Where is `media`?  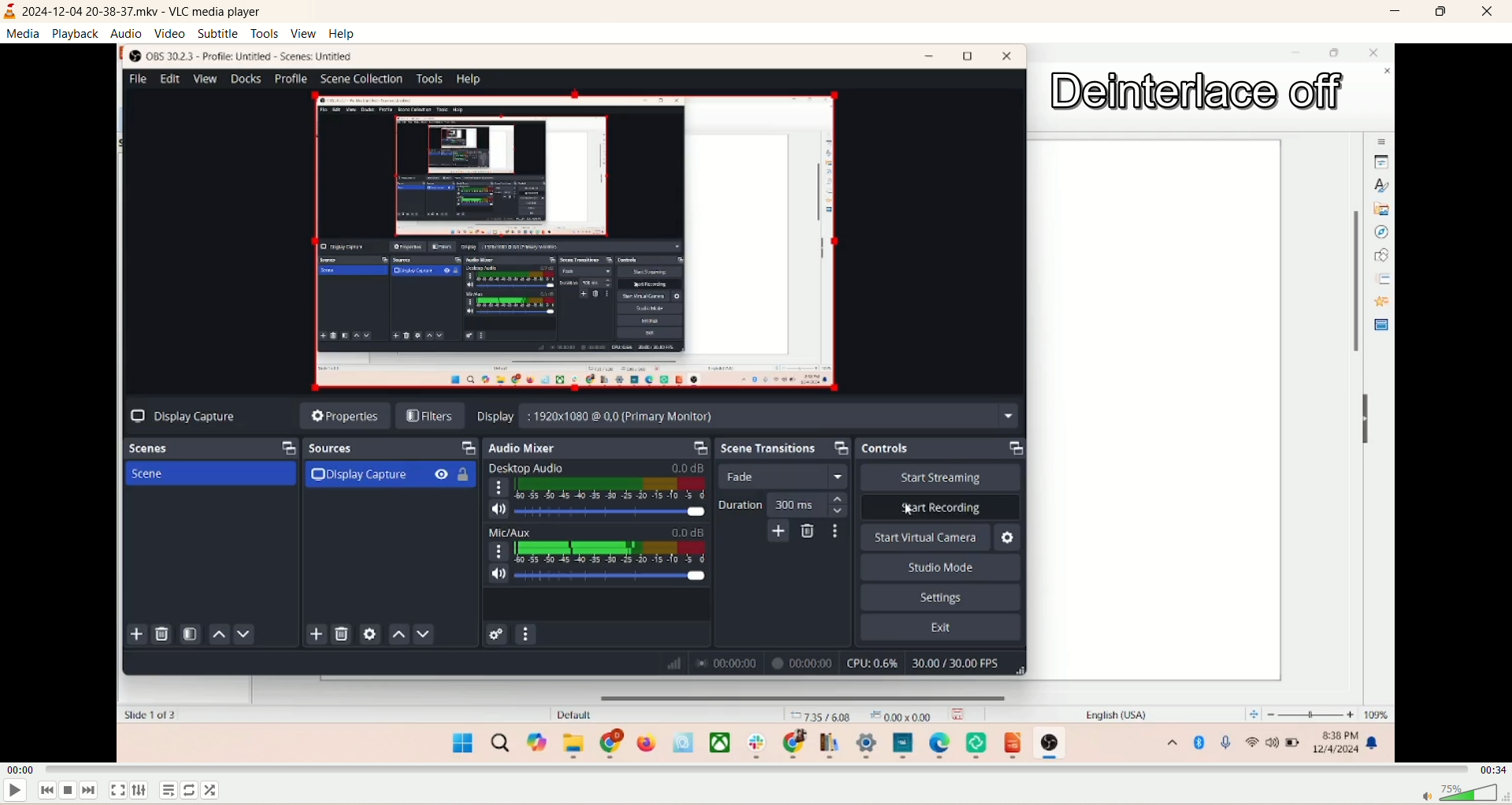 media is located at coordinates (25, 34).